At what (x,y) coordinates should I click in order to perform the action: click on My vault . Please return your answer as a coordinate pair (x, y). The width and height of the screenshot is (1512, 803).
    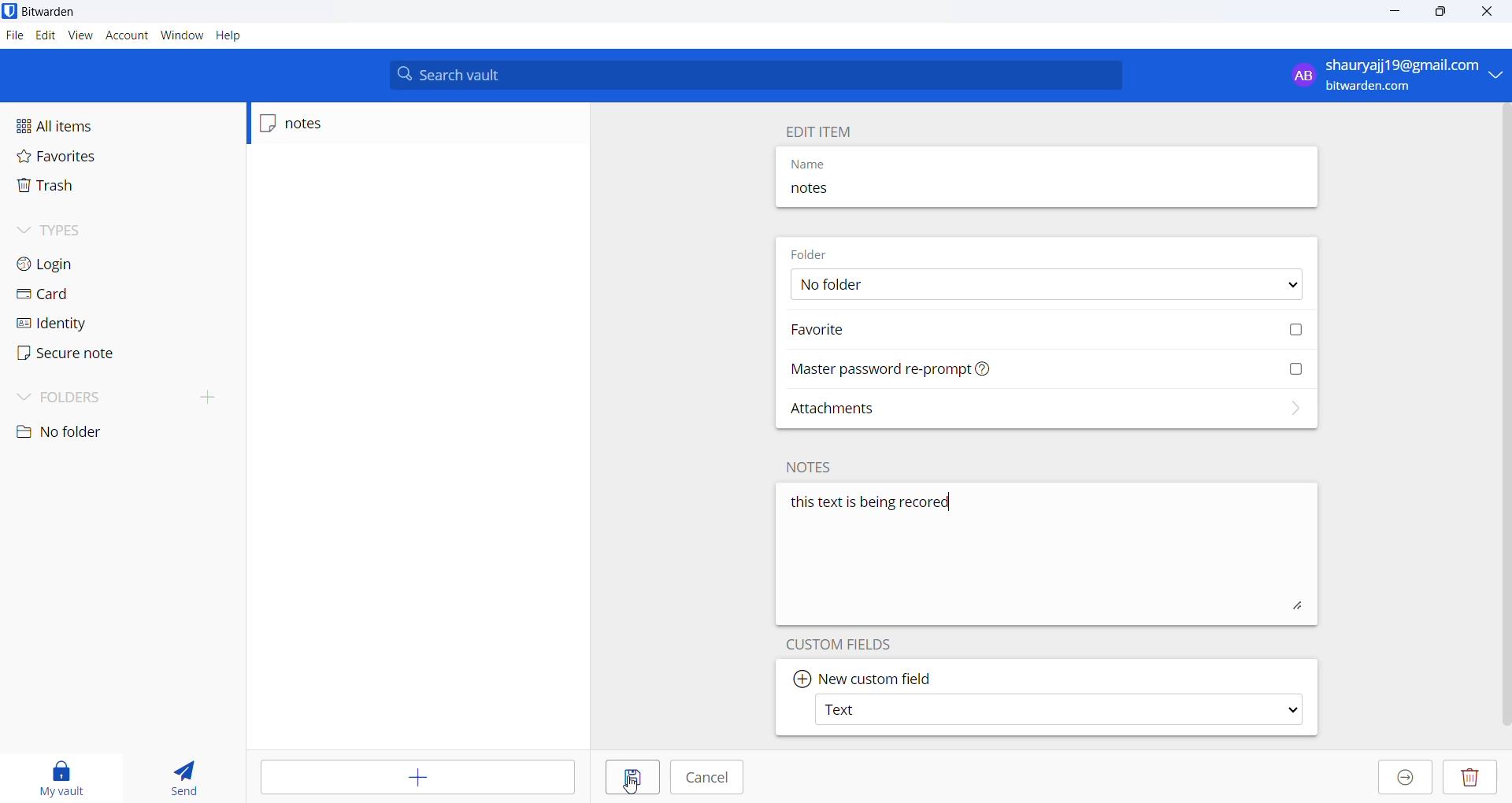
    Looking at the image, I should click on (58, 775).